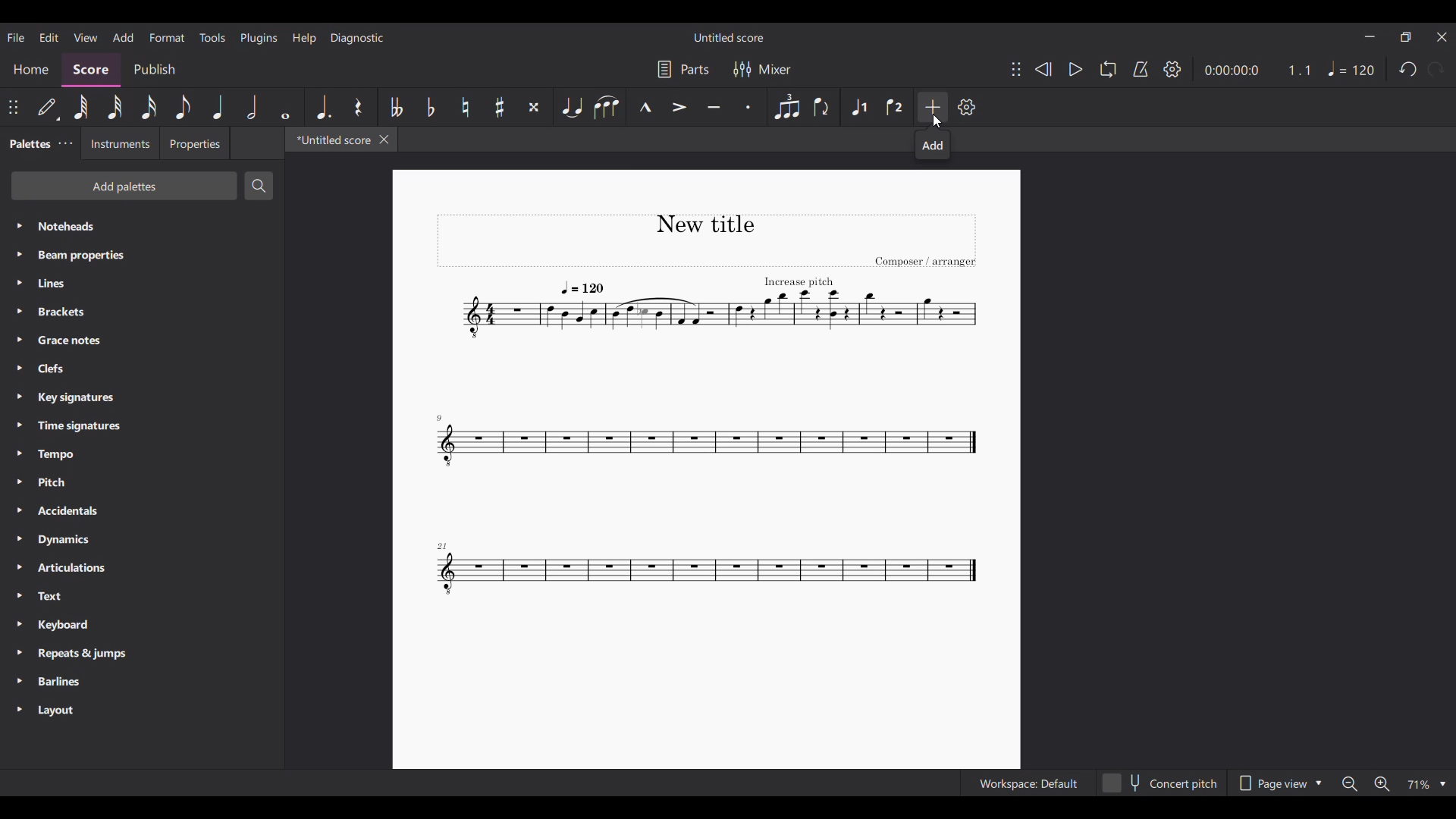  Describe the element at coordinates (1351, 68) in the screenshot. I see `Tempo` at that location.